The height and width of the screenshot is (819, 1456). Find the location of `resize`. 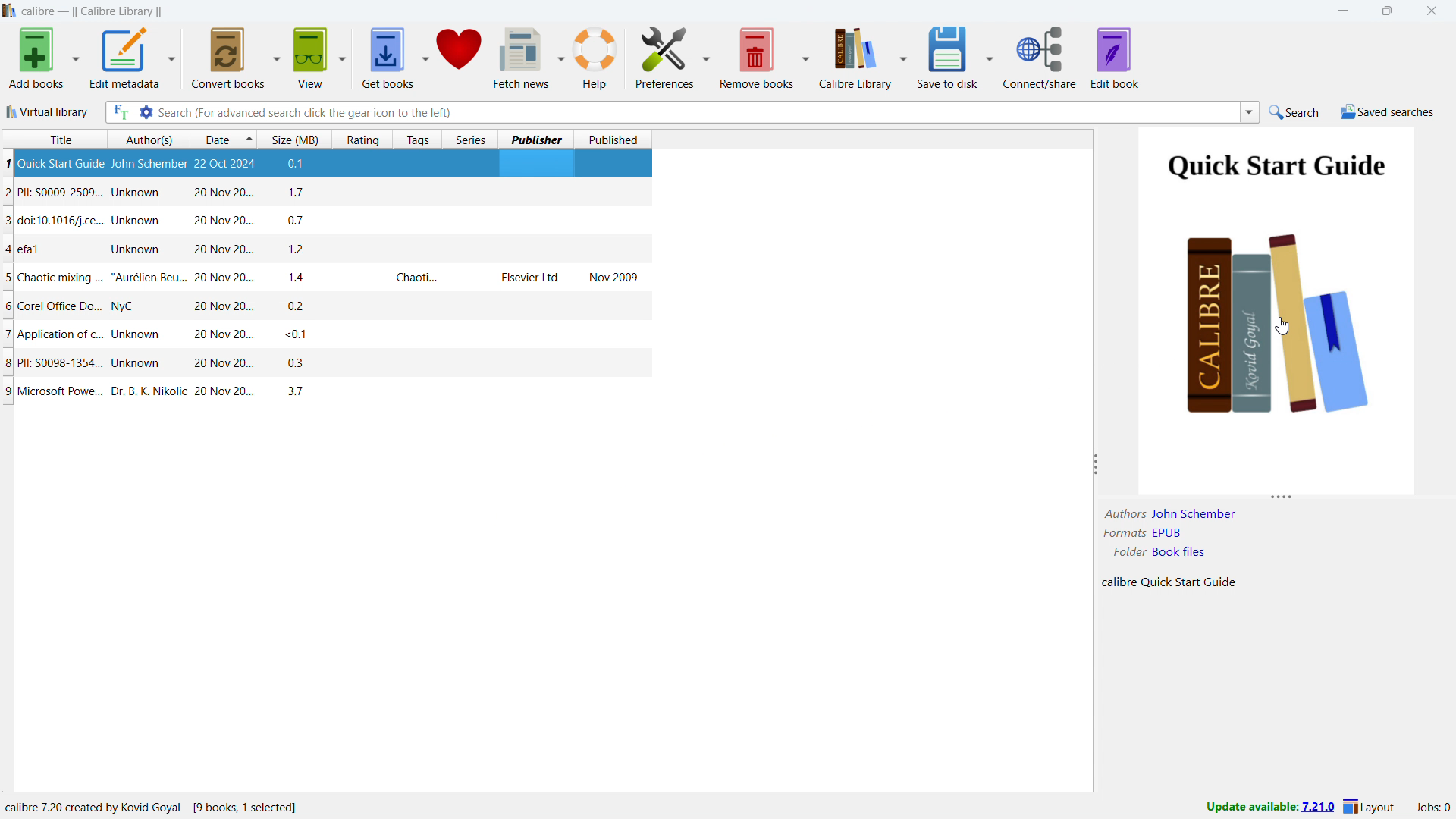

resize is located at coordinates (1098, 465).